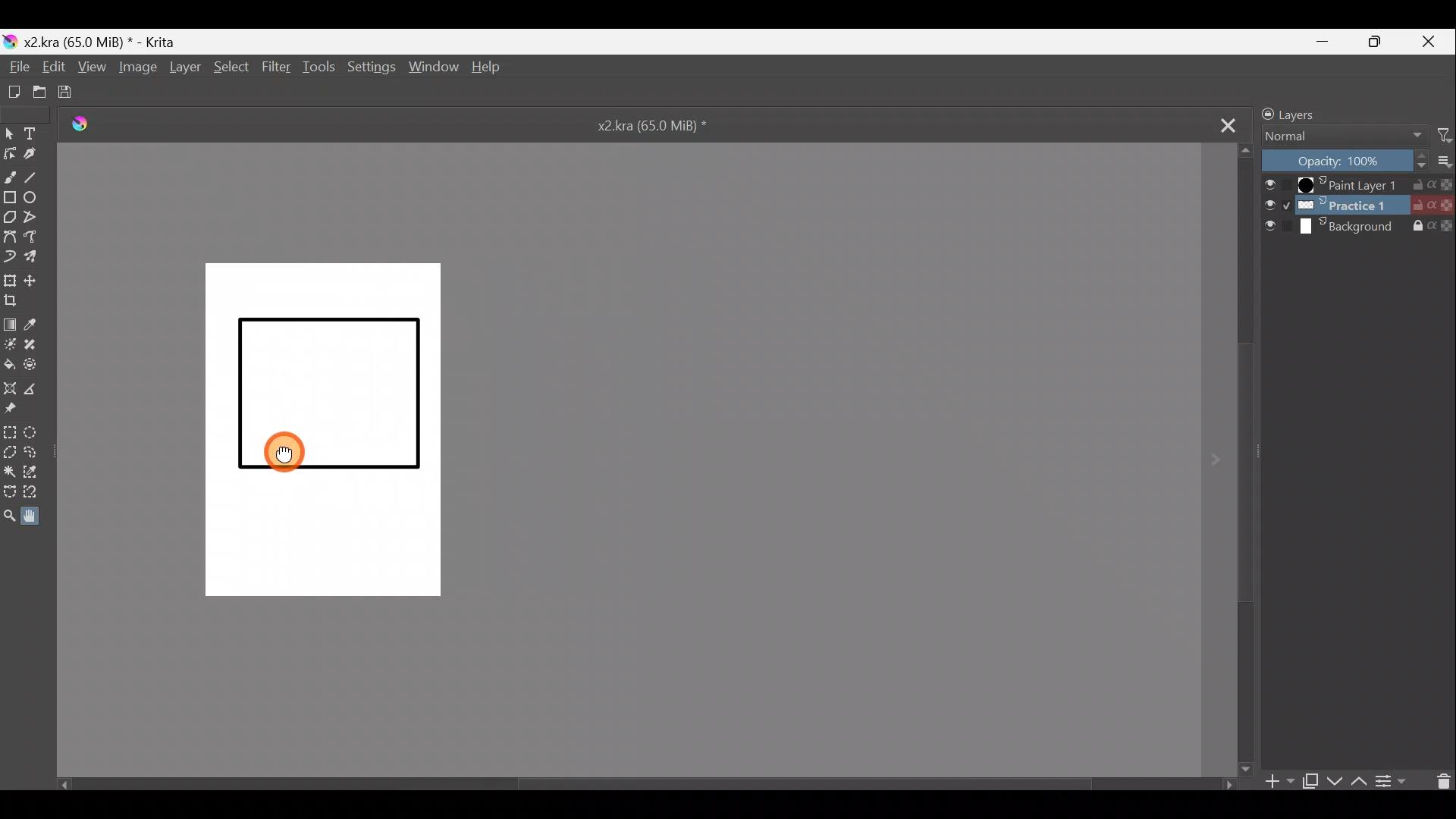 The height and width of the screenshot is (819, 1456). I want to click on Add layer, so click(1273, 781).